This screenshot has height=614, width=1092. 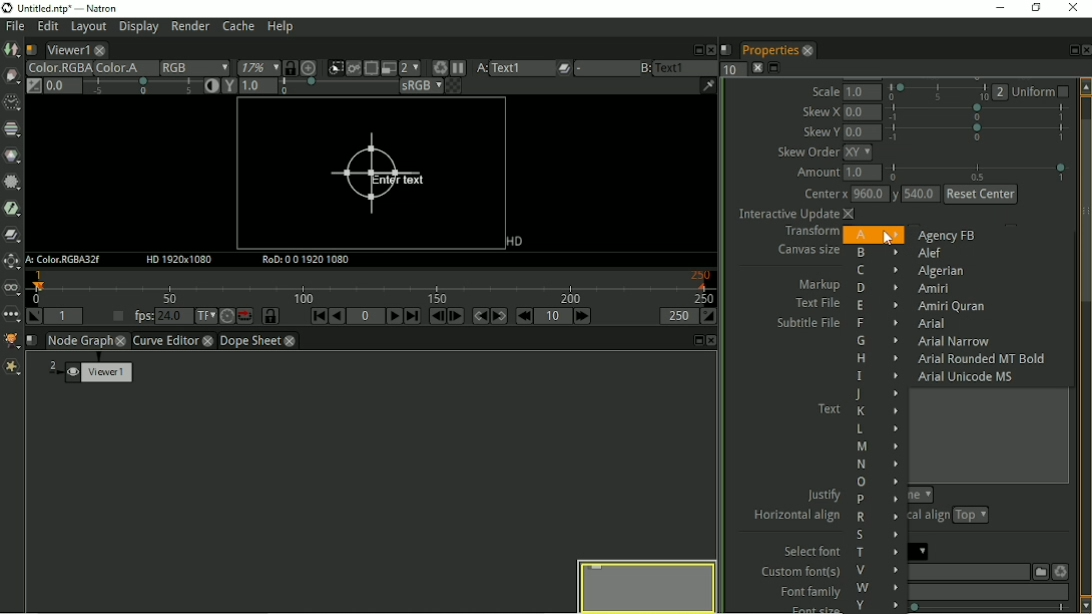 I want to click on Uniform, so click(x=1043, y=91).